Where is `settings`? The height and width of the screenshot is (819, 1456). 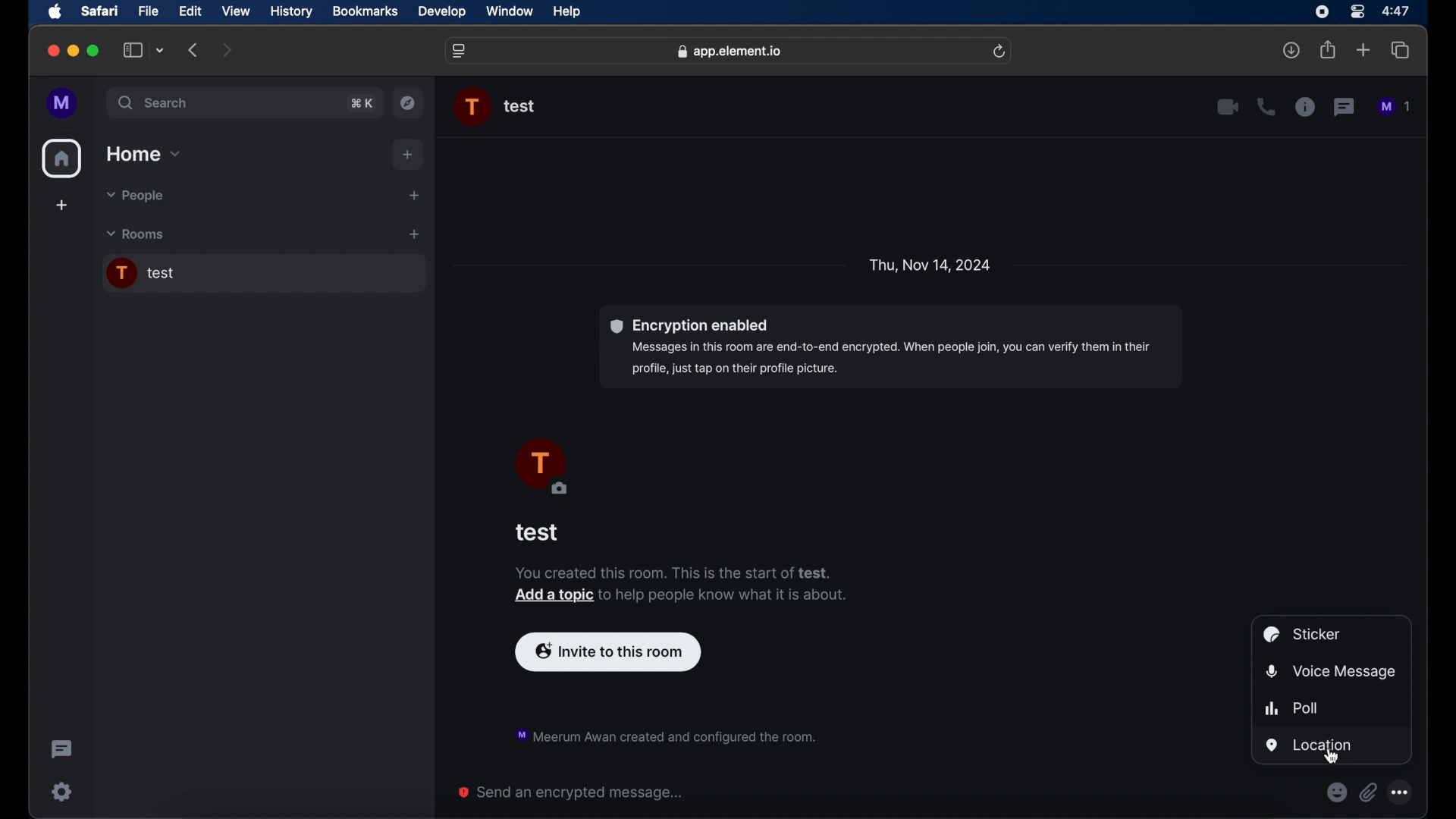 settings is located at coordinates (61, 791).